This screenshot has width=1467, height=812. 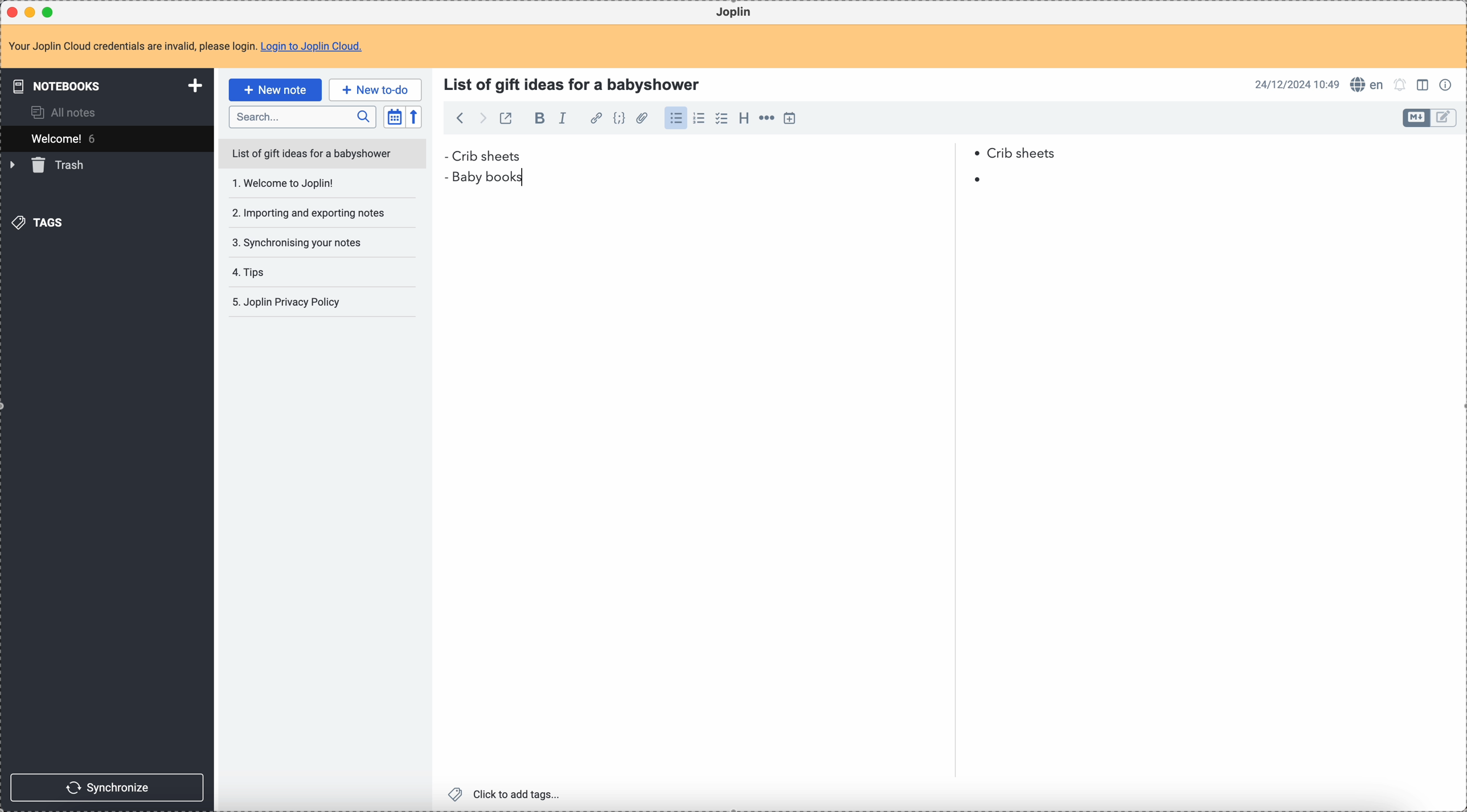 What do you see at coordinates (324, 155) in the screenshot?
I see `list of gift ideas for a babyshower` at bounding box center [324, 155].